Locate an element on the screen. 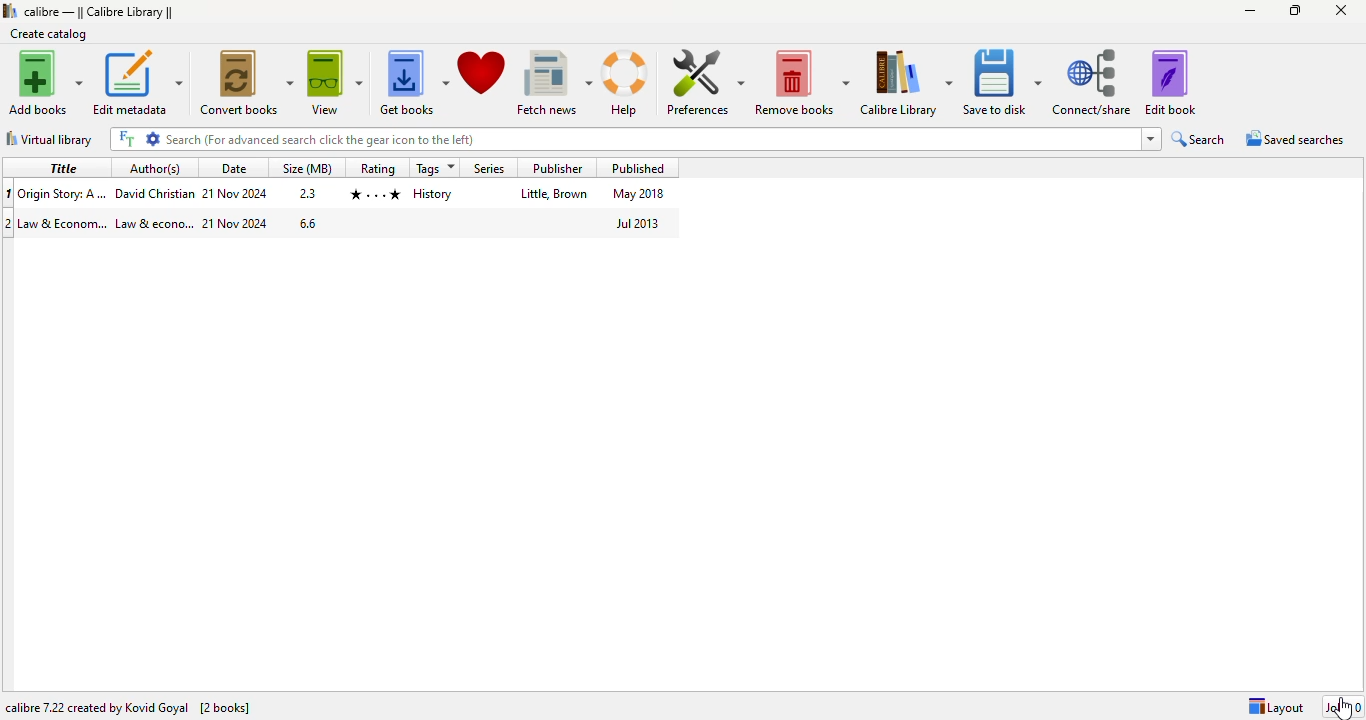 This screenshot has width=1366, height=720. saved searches is located at coordinates (1296, 138).